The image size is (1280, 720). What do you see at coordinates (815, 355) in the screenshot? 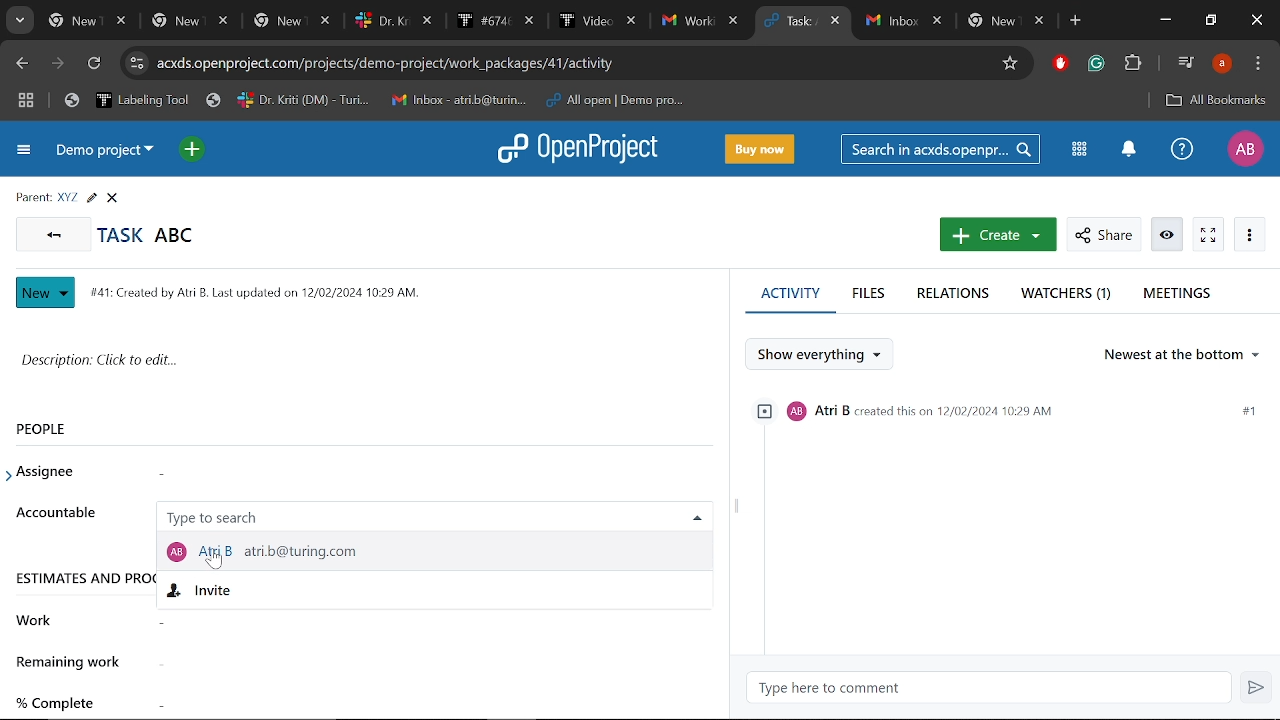
I see `Show everything` at bounding box center [815, 355].